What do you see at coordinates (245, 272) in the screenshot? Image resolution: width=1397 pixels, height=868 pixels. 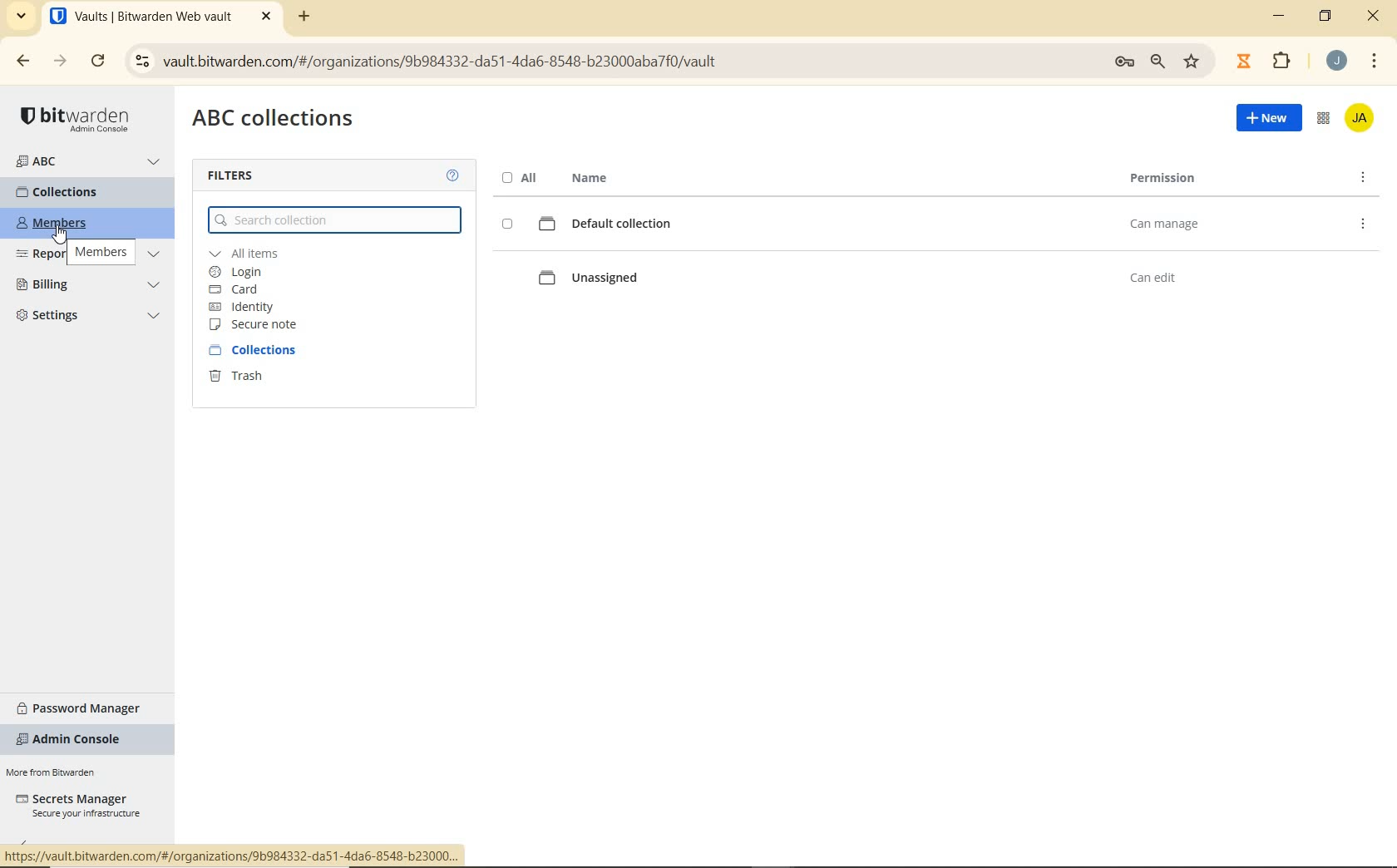 I see `LOGIN` at bounding box center [245, 272].